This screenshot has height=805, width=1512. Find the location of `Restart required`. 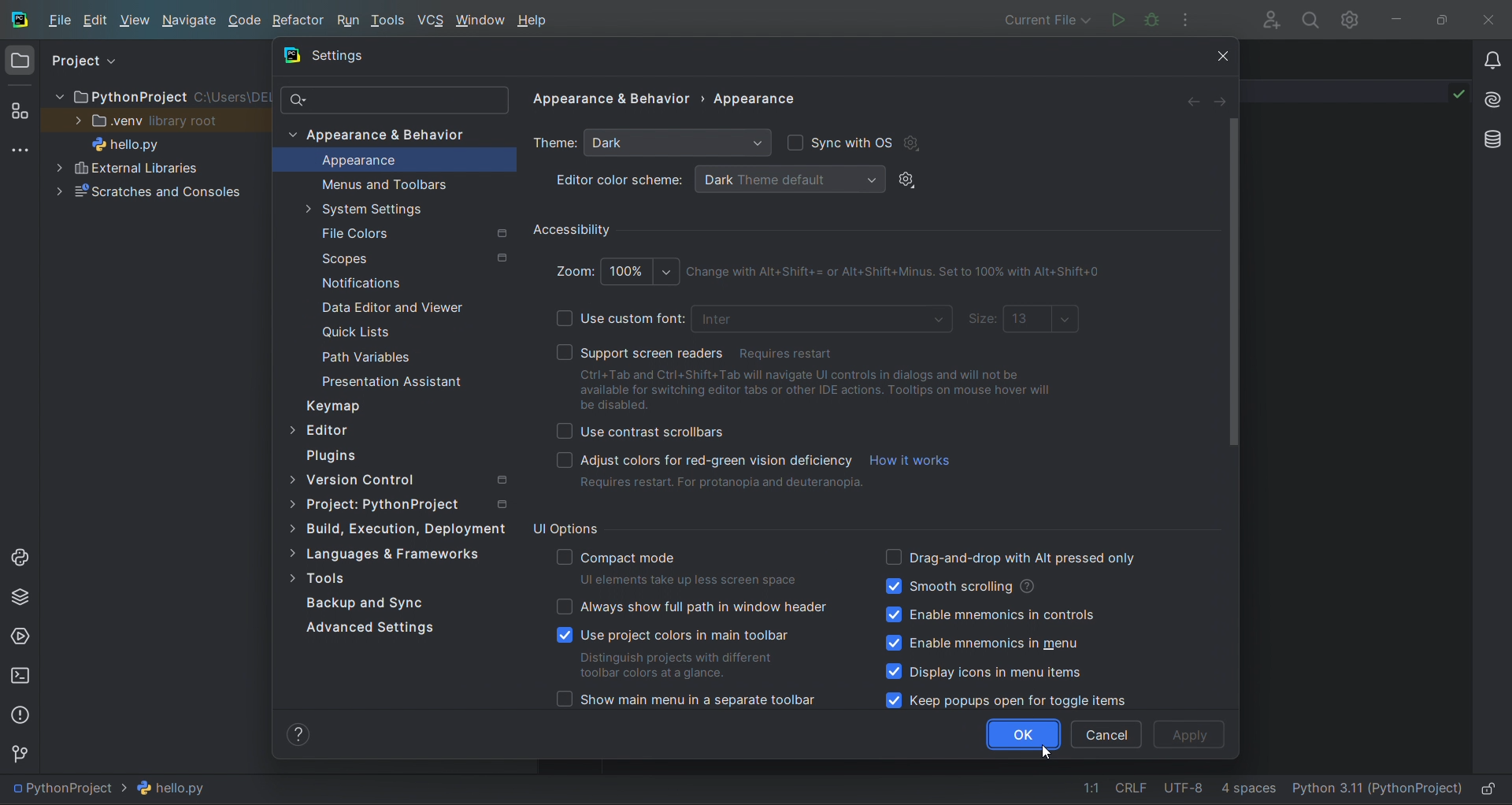

Restart required is located at coordinates (790, 351).